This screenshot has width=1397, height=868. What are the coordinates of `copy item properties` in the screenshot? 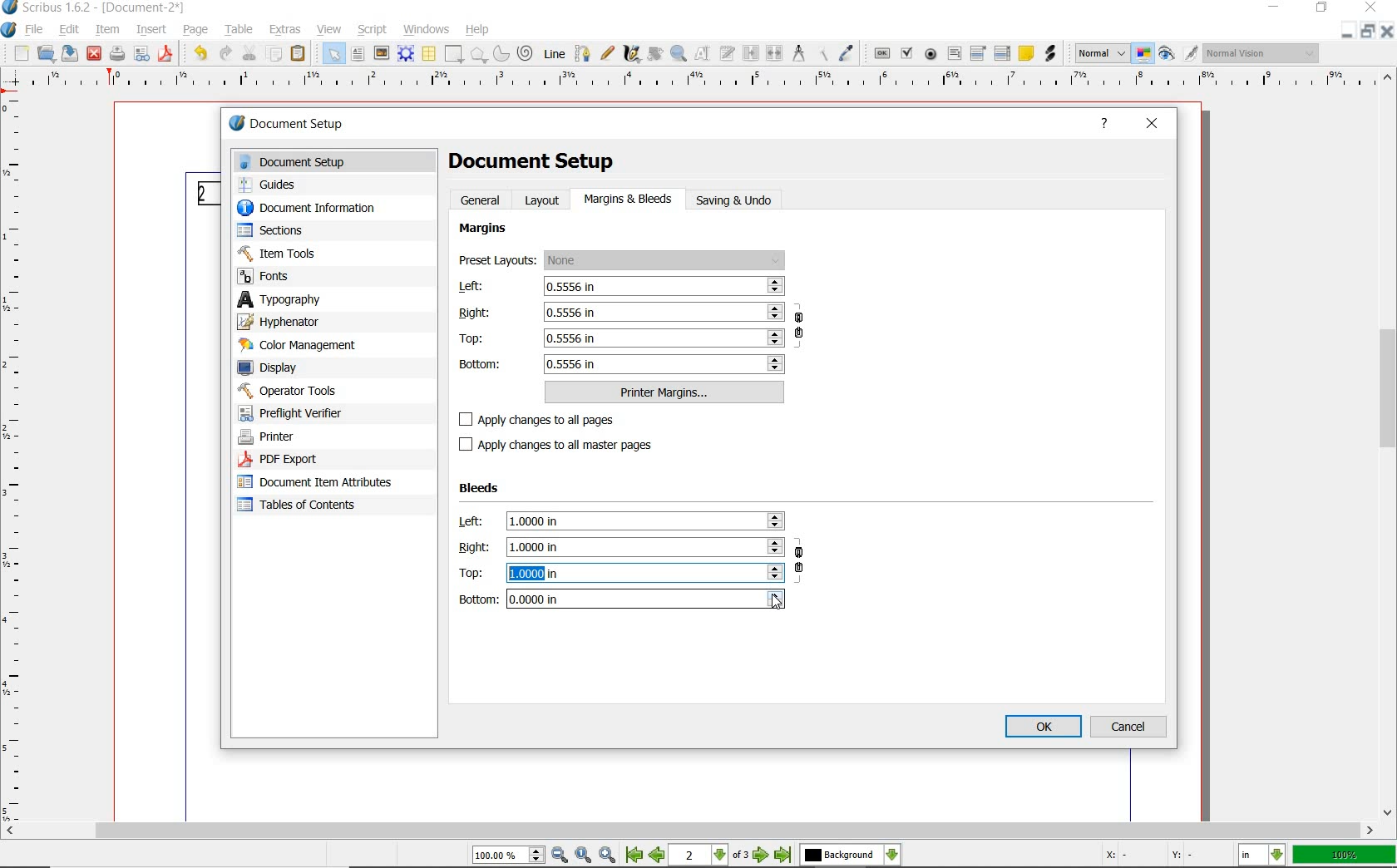 It's located at (823, 55).